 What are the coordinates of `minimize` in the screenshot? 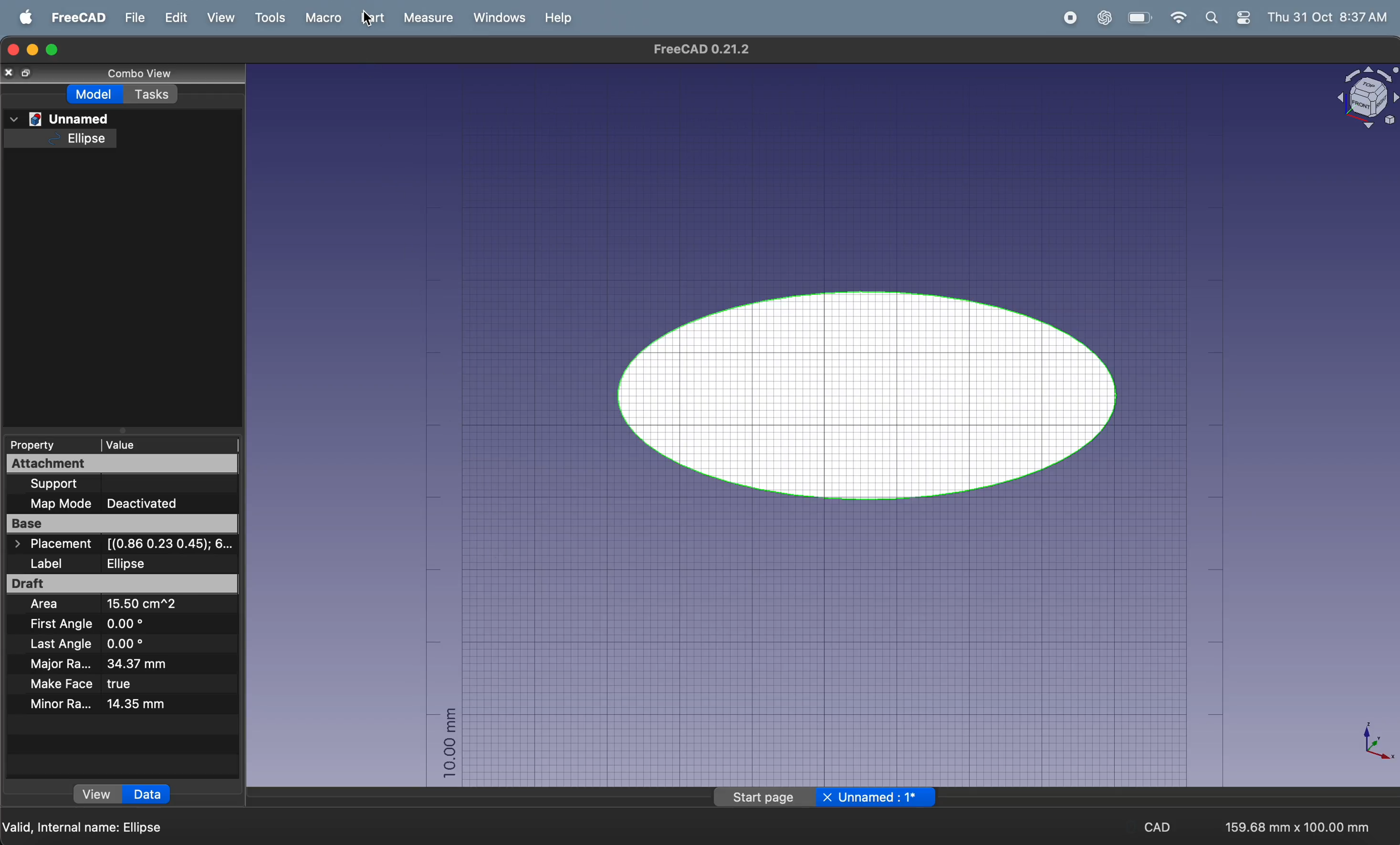 It's located at (35, 51).